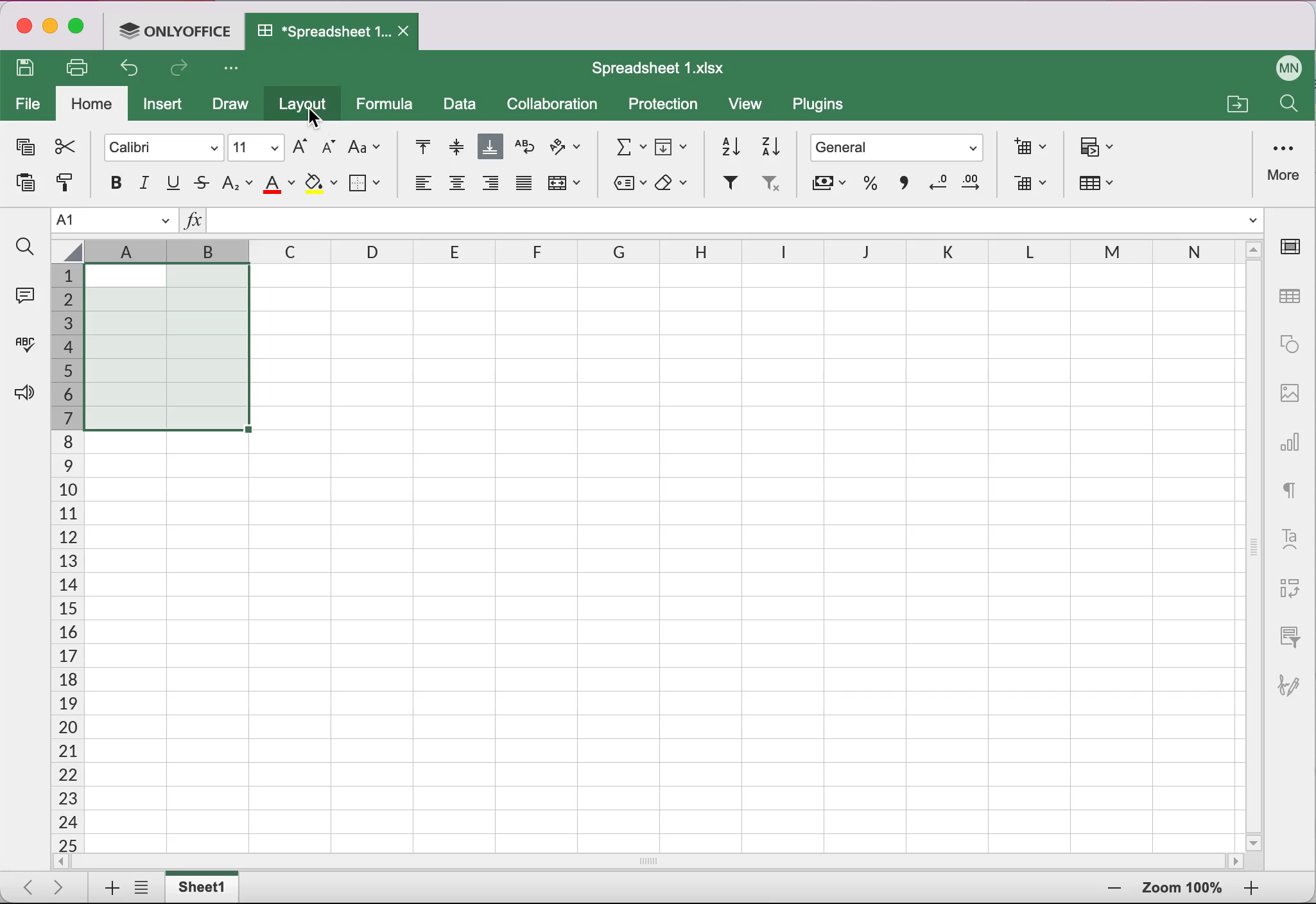 This screenshot has width=1316, height=904. What do you see at coordinates (1030, 185) in the screenshot?
I see `delete cells` at bounding box center [1030, 185].